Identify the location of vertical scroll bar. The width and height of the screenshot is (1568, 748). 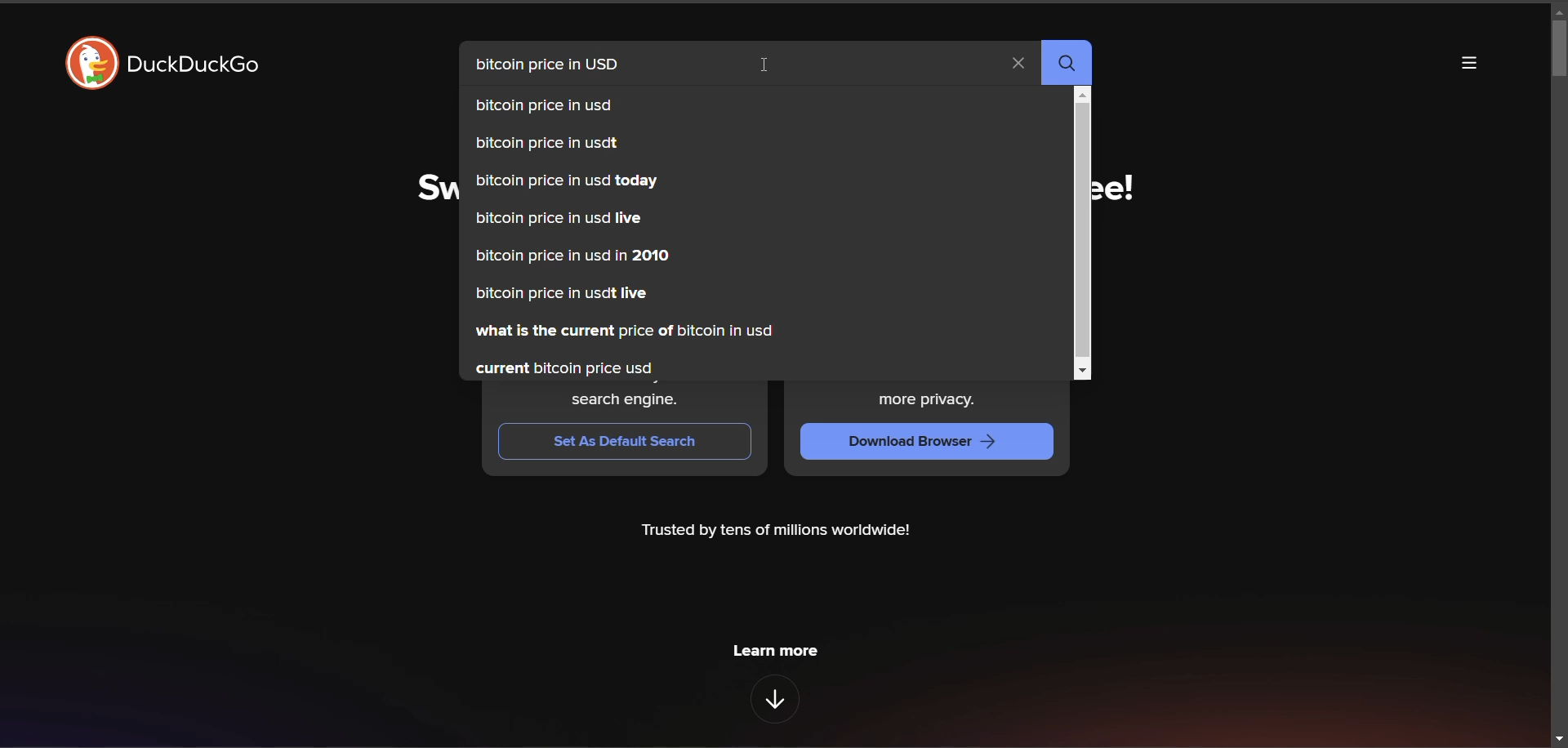
(1544, 57).